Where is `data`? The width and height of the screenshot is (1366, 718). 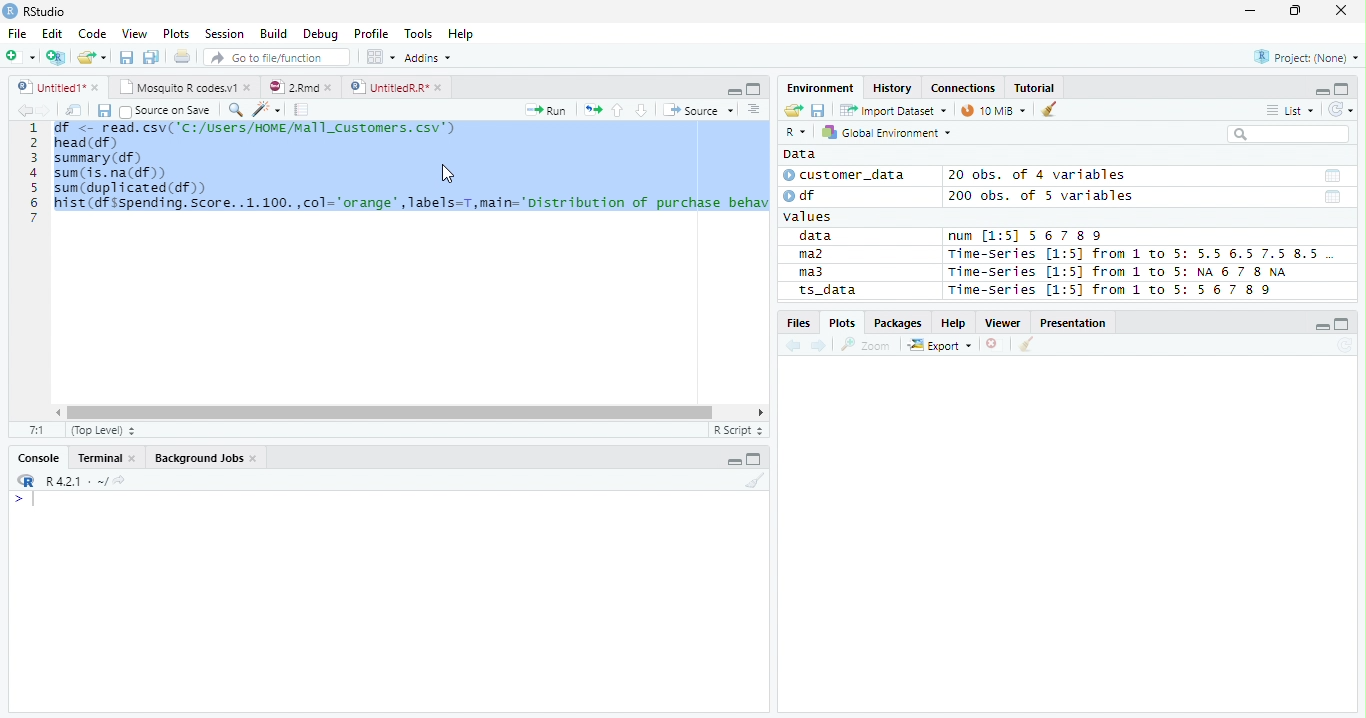
data is located at coordinates (819, 237).